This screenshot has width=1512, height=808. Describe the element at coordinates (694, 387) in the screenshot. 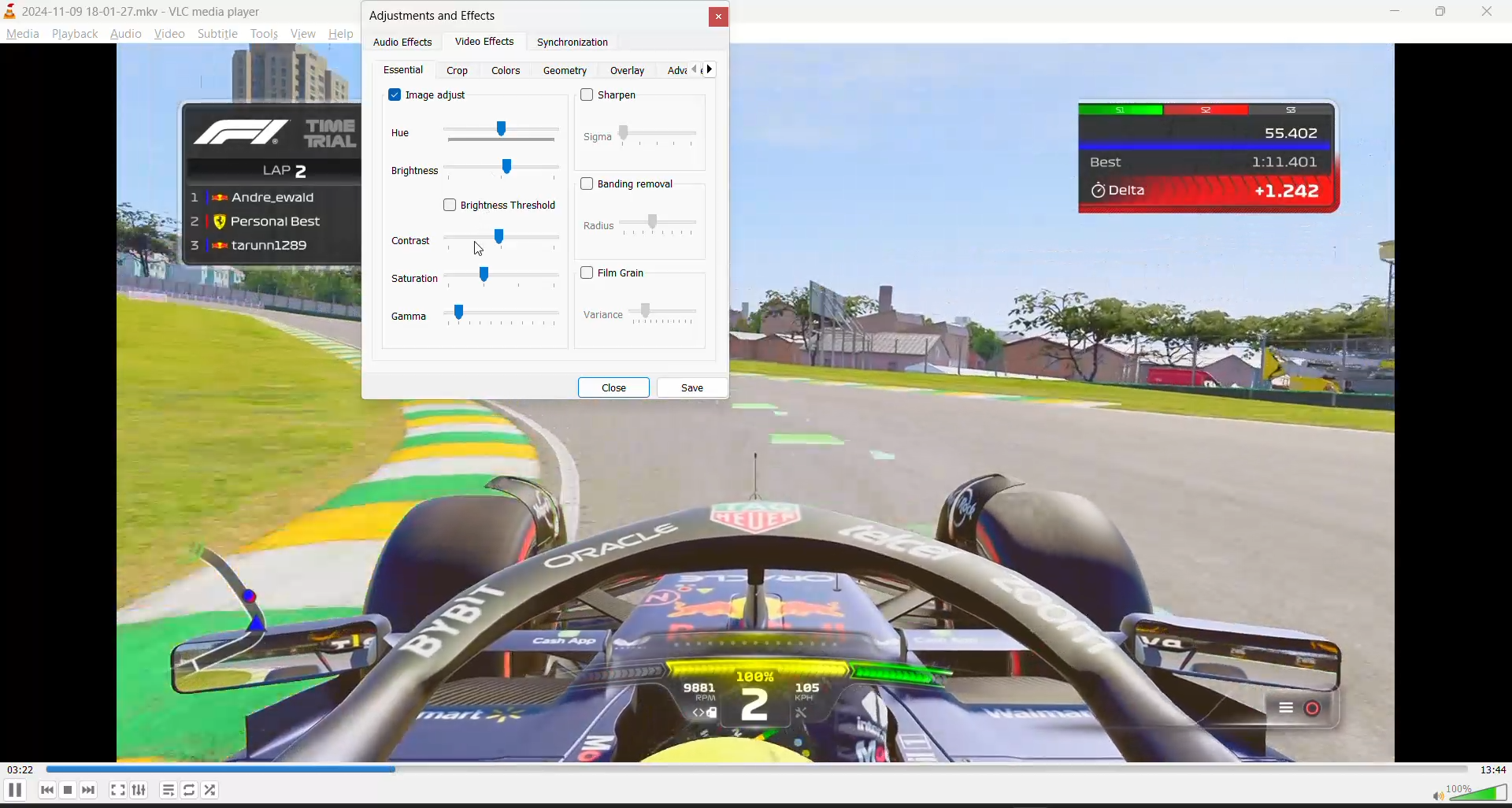

I see `save` at that location.